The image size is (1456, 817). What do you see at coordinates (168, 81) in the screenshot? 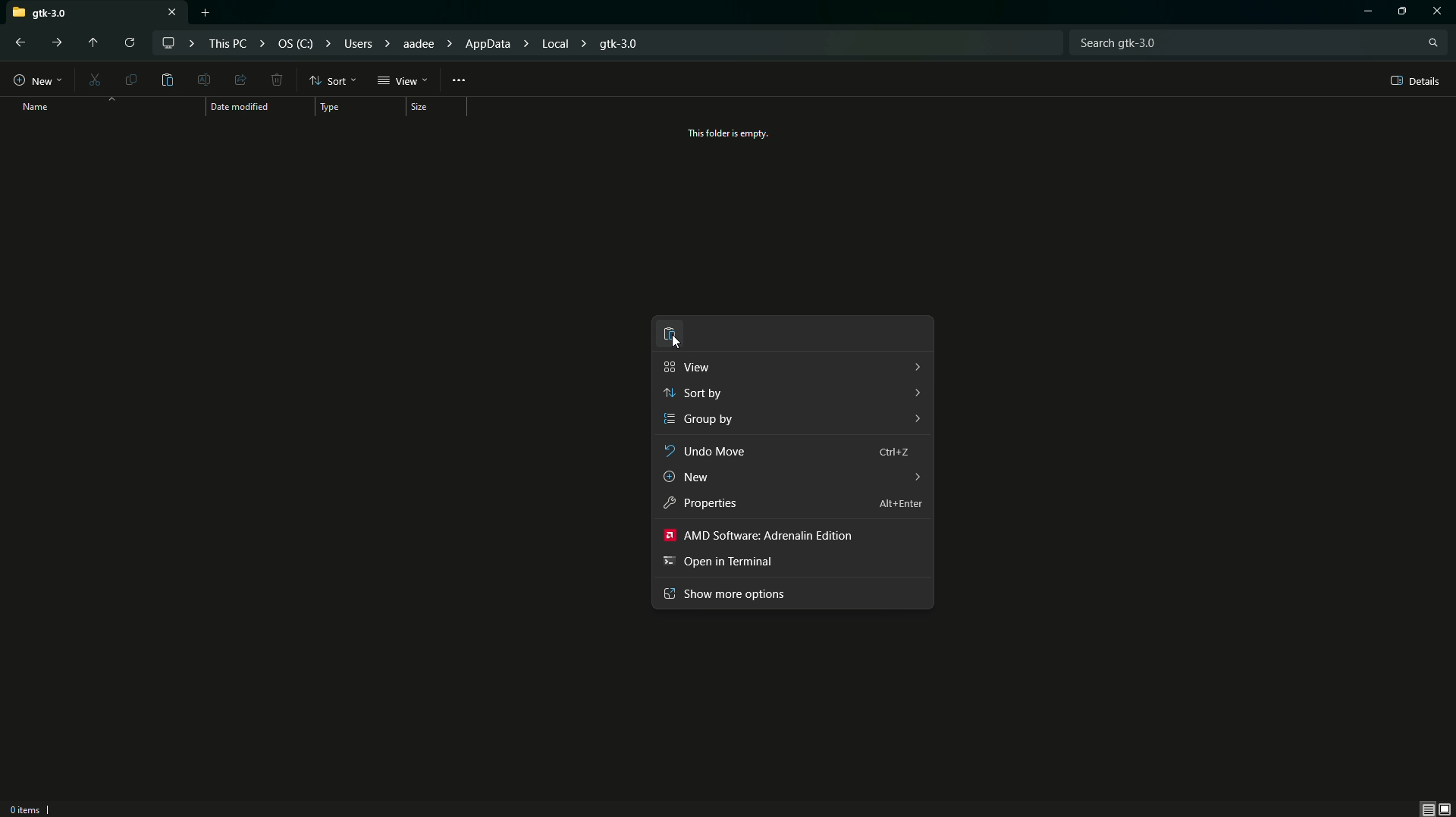
I see `Paste` at bounding box center [168, 81].